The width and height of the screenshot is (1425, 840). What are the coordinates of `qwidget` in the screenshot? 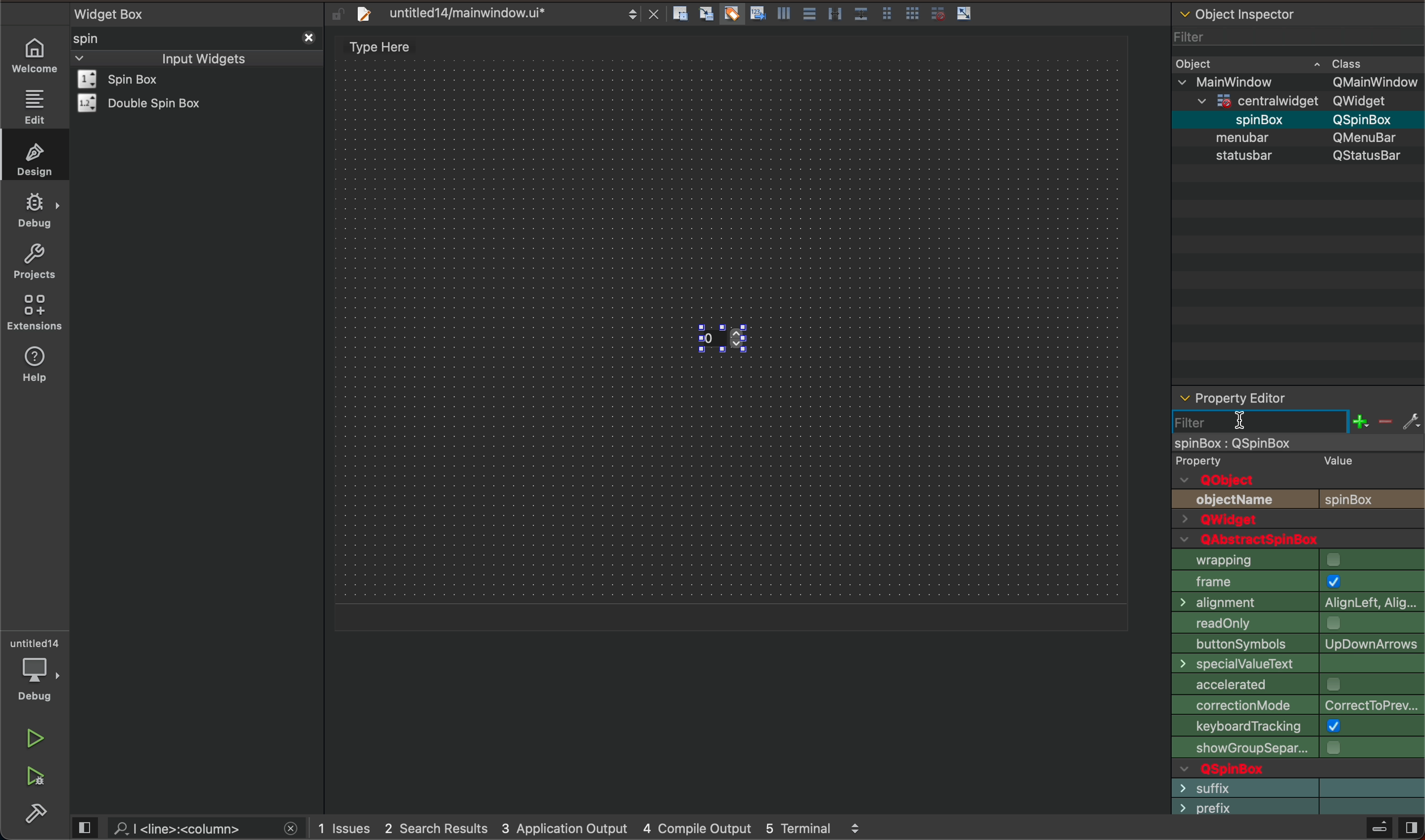 It's located at (1298, 521).